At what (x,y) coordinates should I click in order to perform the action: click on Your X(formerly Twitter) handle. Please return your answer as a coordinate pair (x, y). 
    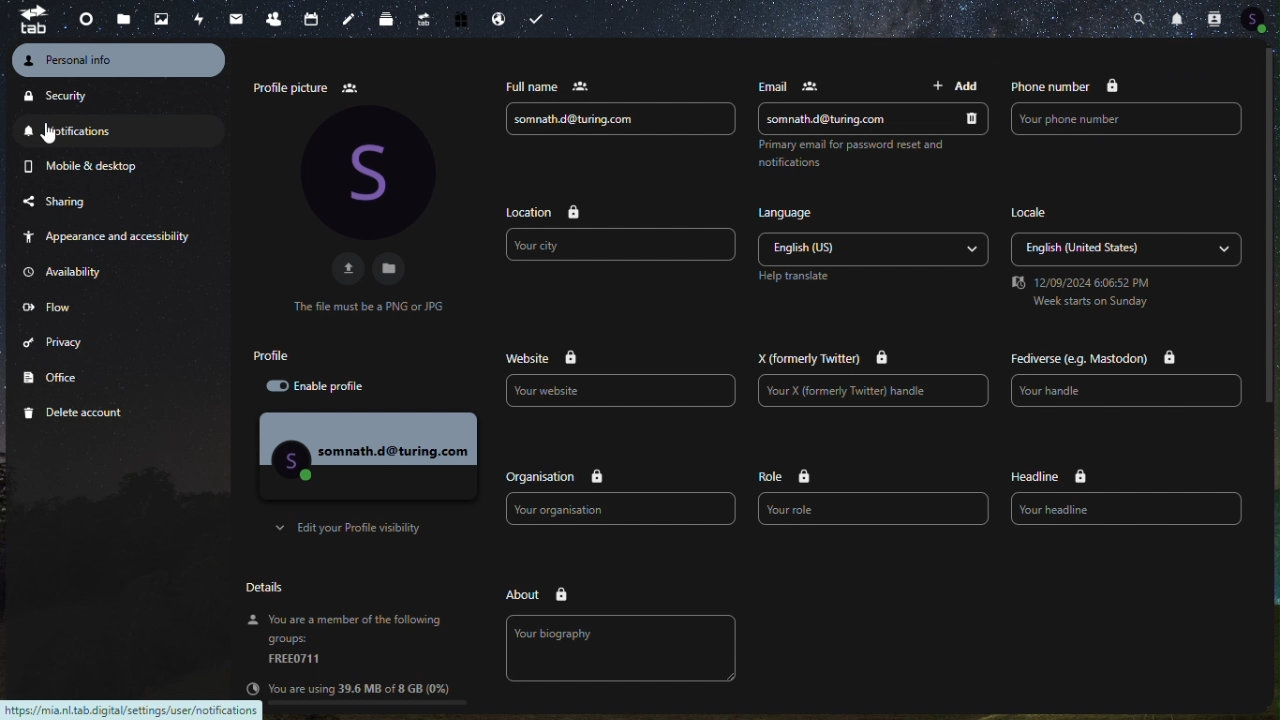
    Looking at the image, I should click on (872, 394).